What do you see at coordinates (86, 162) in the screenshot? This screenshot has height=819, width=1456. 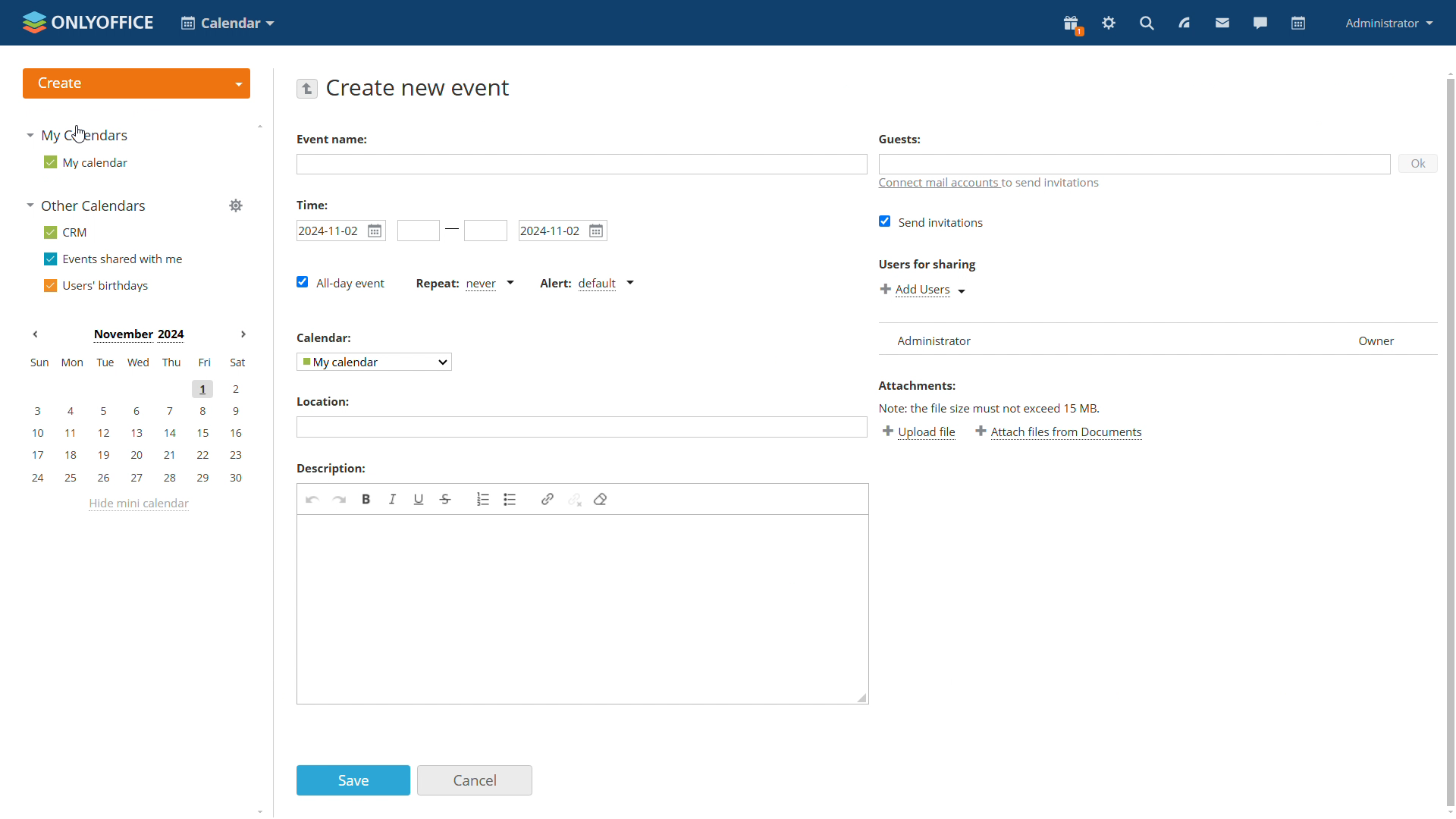 I see `my calendar` at bounding box center [86, 162].